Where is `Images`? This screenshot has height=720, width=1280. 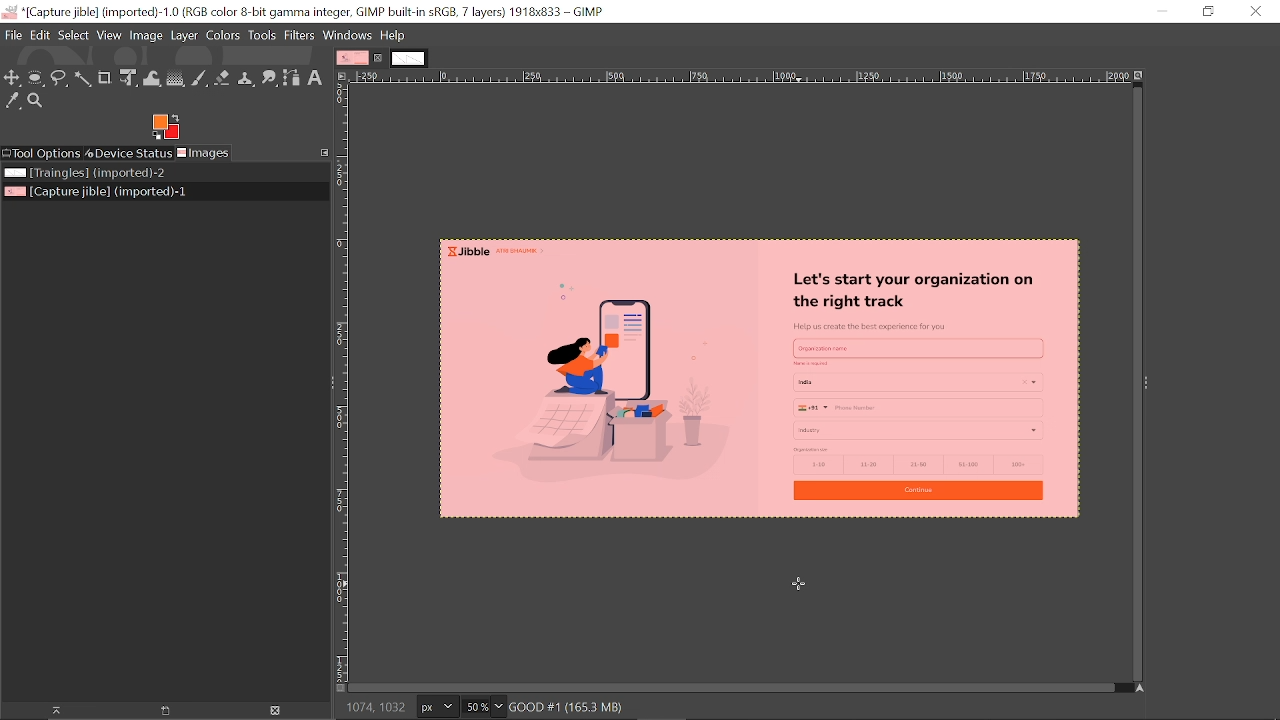
Images is located at coordinates (204, 153).